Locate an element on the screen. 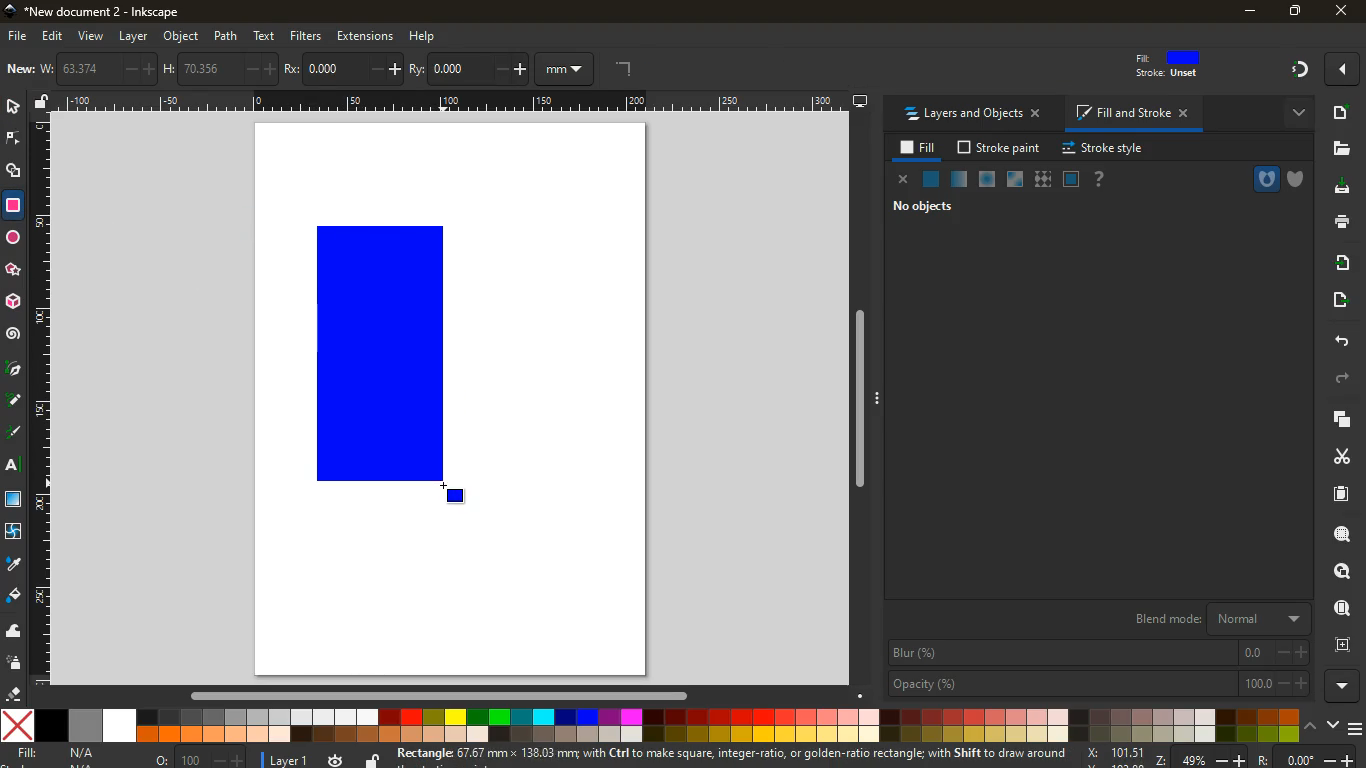 Image resolution: width=1366 pixels, height=768 pixels. mm is located at coordinates (567, 68).